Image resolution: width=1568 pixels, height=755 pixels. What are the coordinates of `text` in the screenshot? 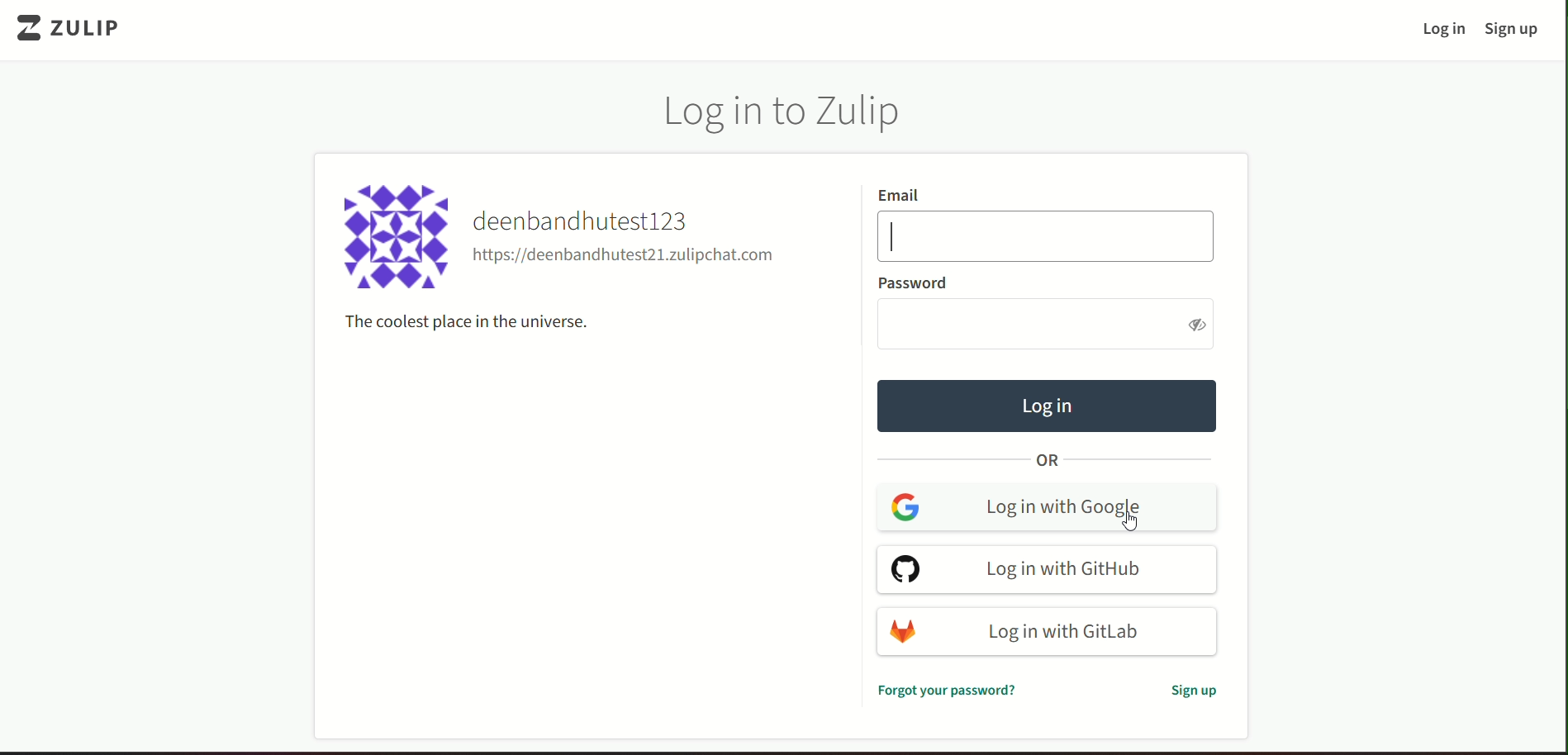 It's located at (468, 321).